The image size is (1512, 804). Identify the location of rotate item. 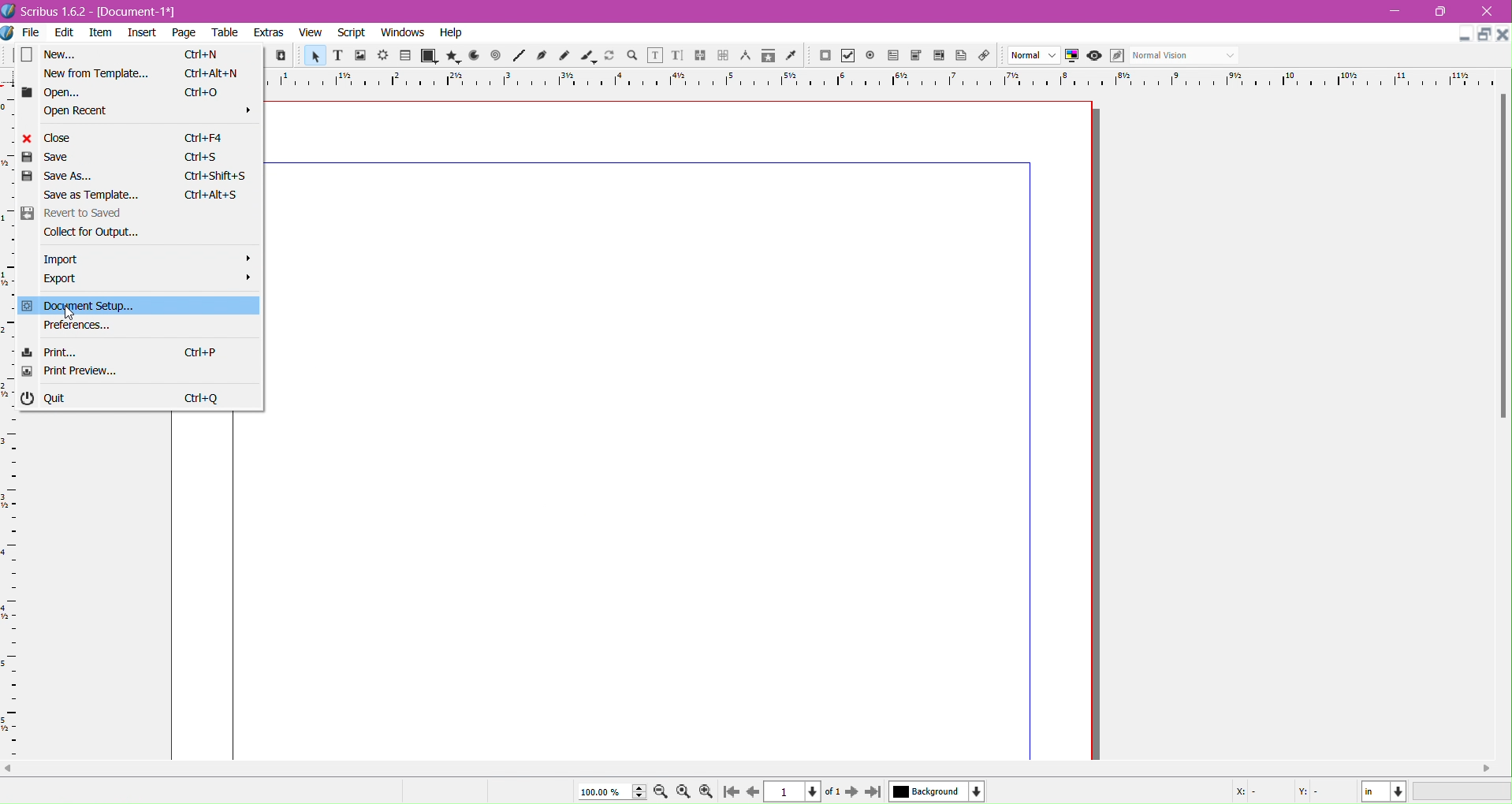
(611, 57).